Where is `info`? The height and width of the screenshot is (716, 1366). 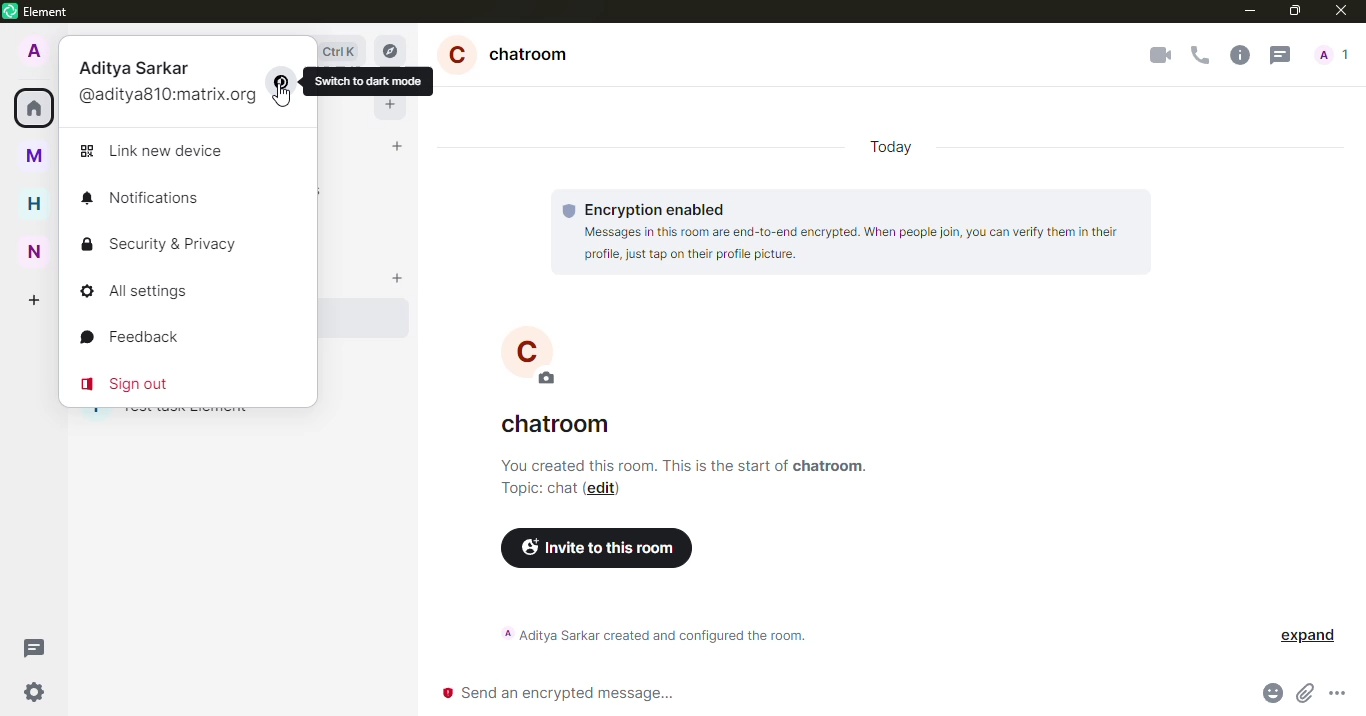 info is located at coordinates (684, 467).